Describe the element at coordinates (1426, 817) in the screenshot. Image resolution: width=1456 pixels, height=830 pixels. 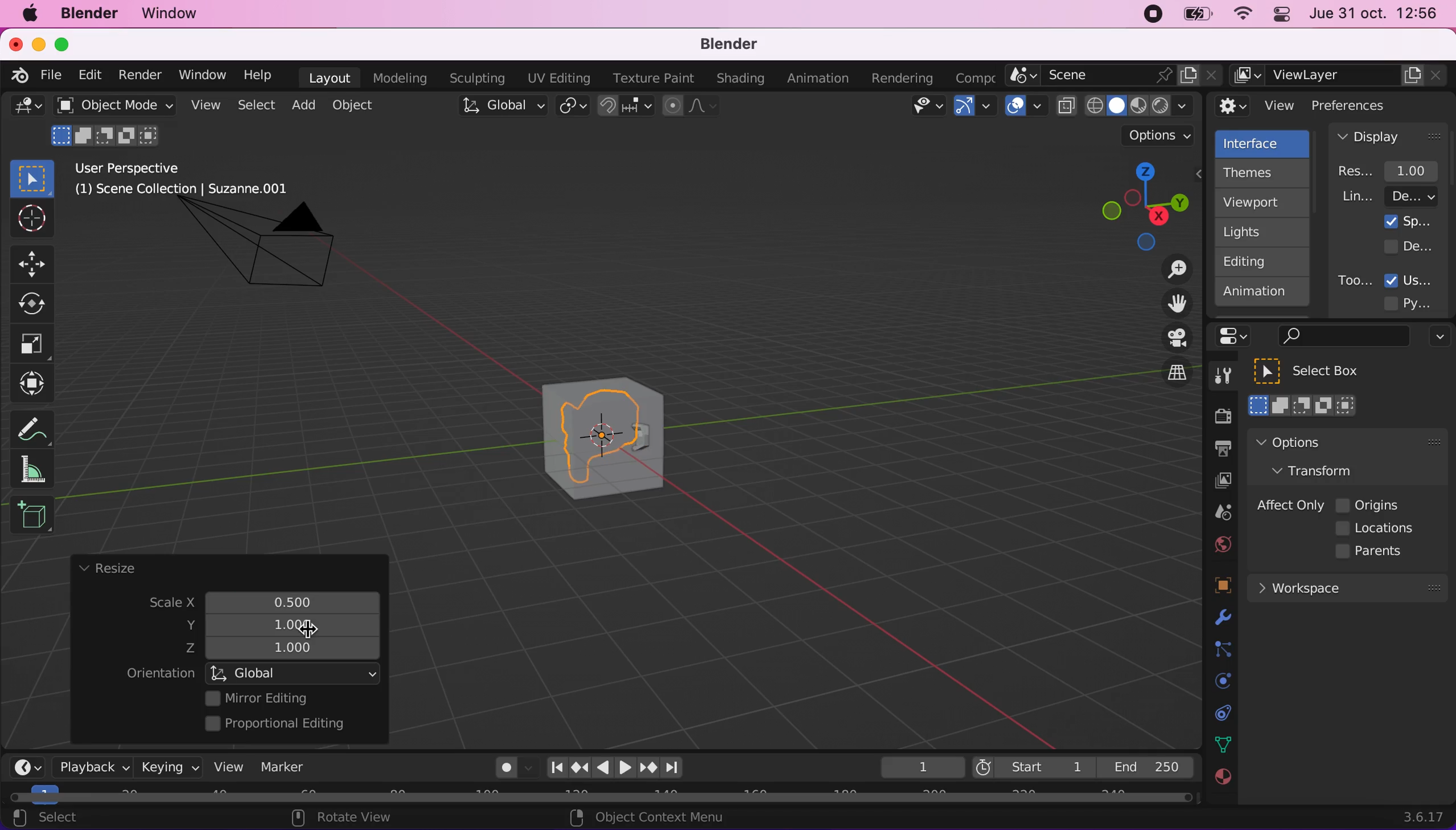
I see `3.6.17` at that location.